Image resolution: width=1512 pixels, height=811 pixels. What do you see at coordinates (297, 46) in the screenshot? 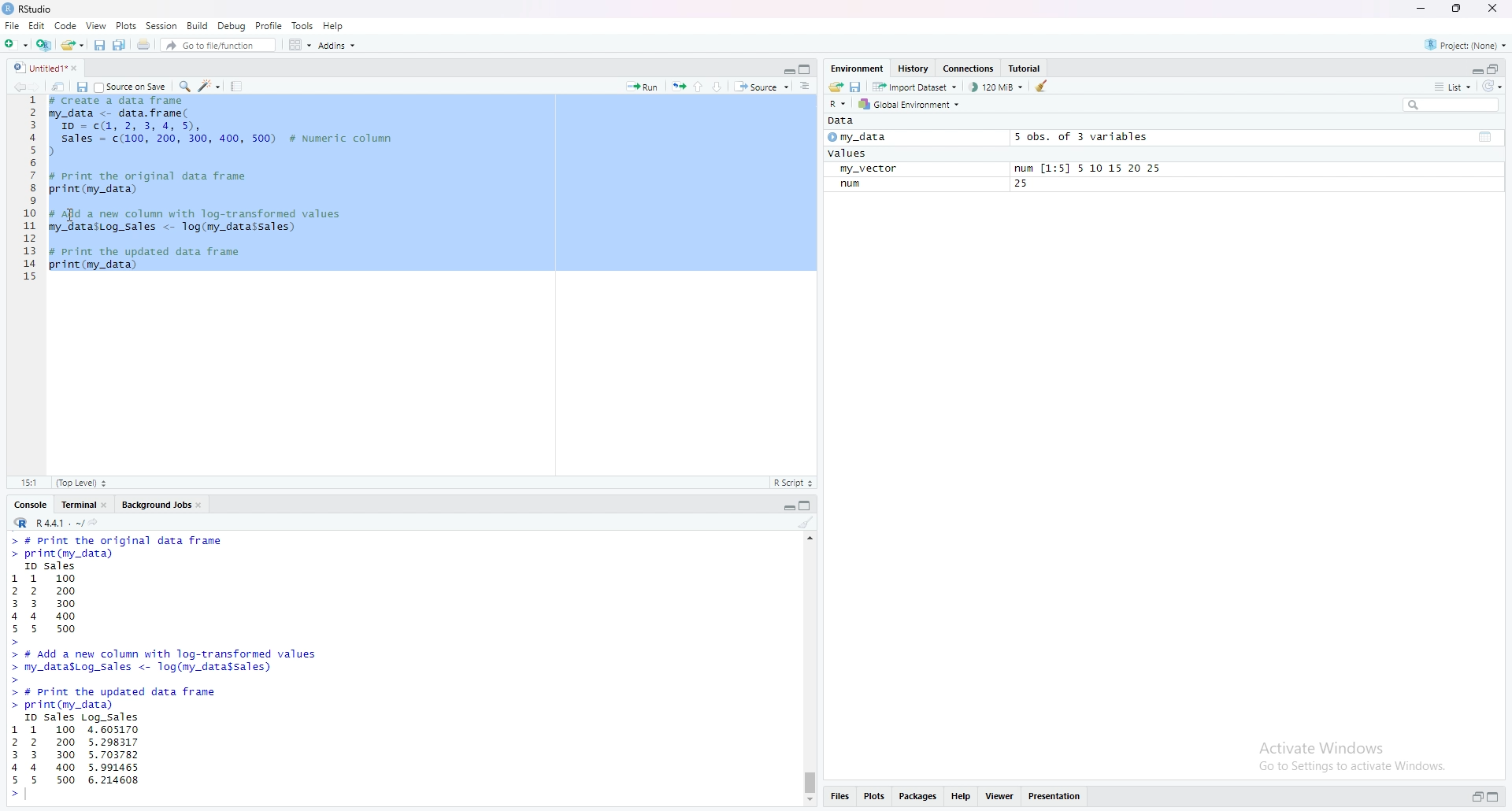
I see `workspace panes` at bounding box center [297, 46].